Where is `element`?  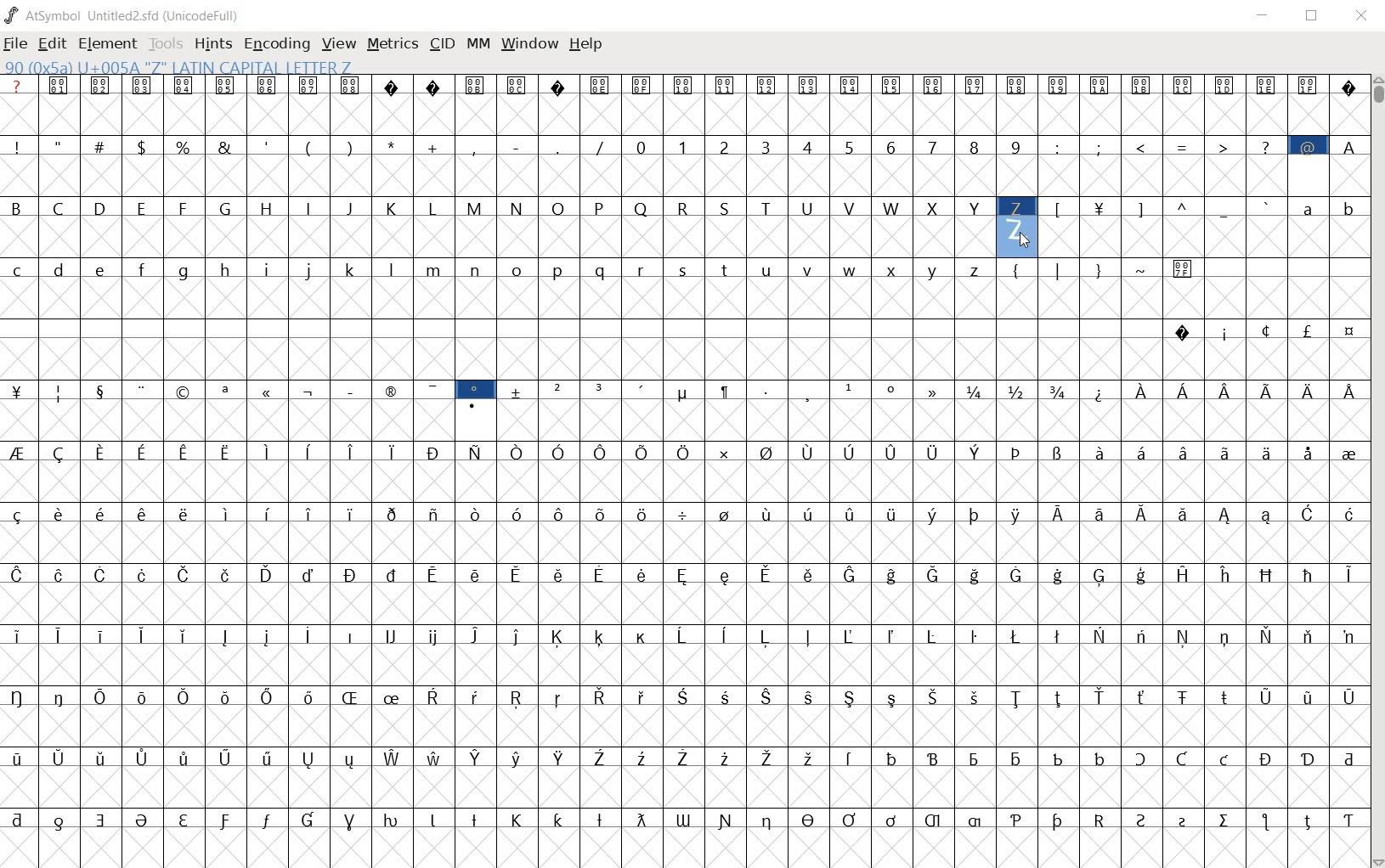 element is located at coordinates (110, 42).